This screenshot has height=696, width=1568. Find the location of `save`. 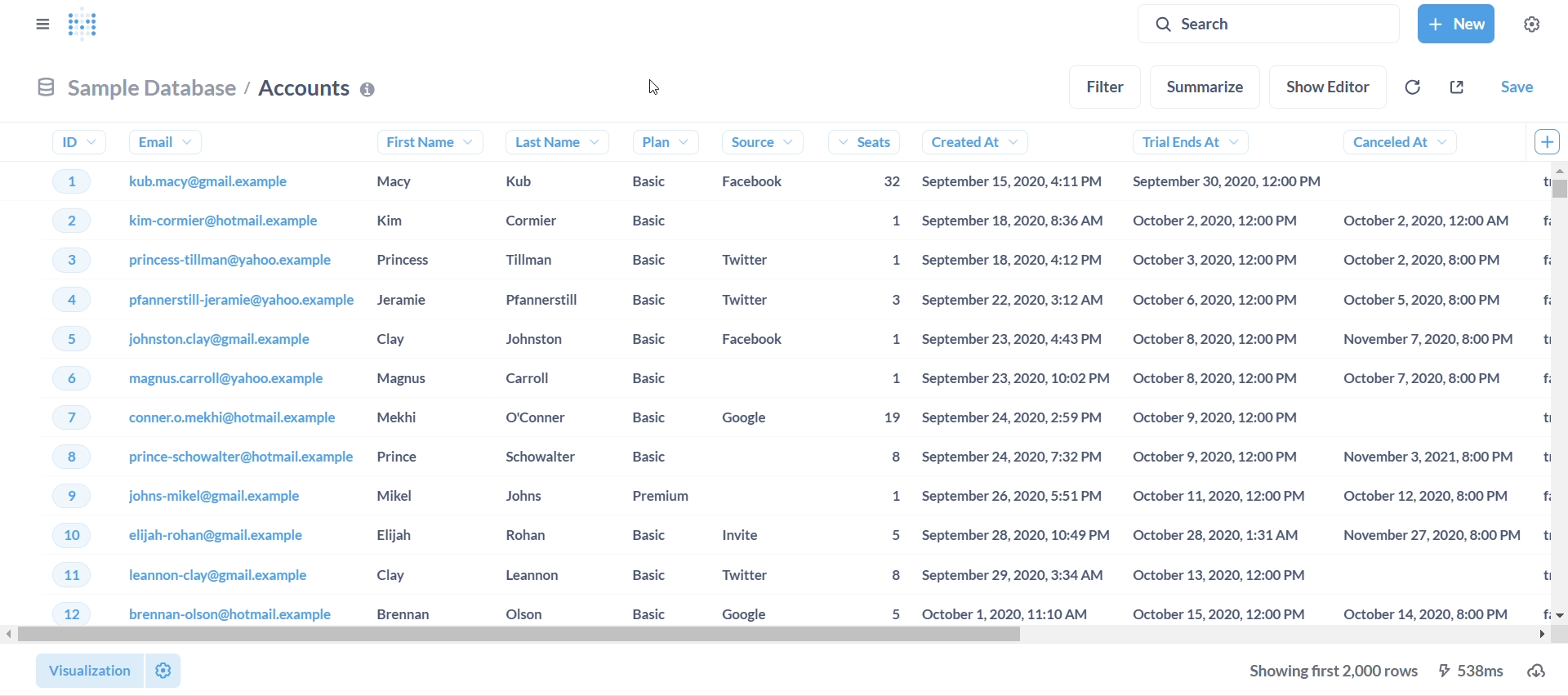

save is located at coordinates (1519, 86).